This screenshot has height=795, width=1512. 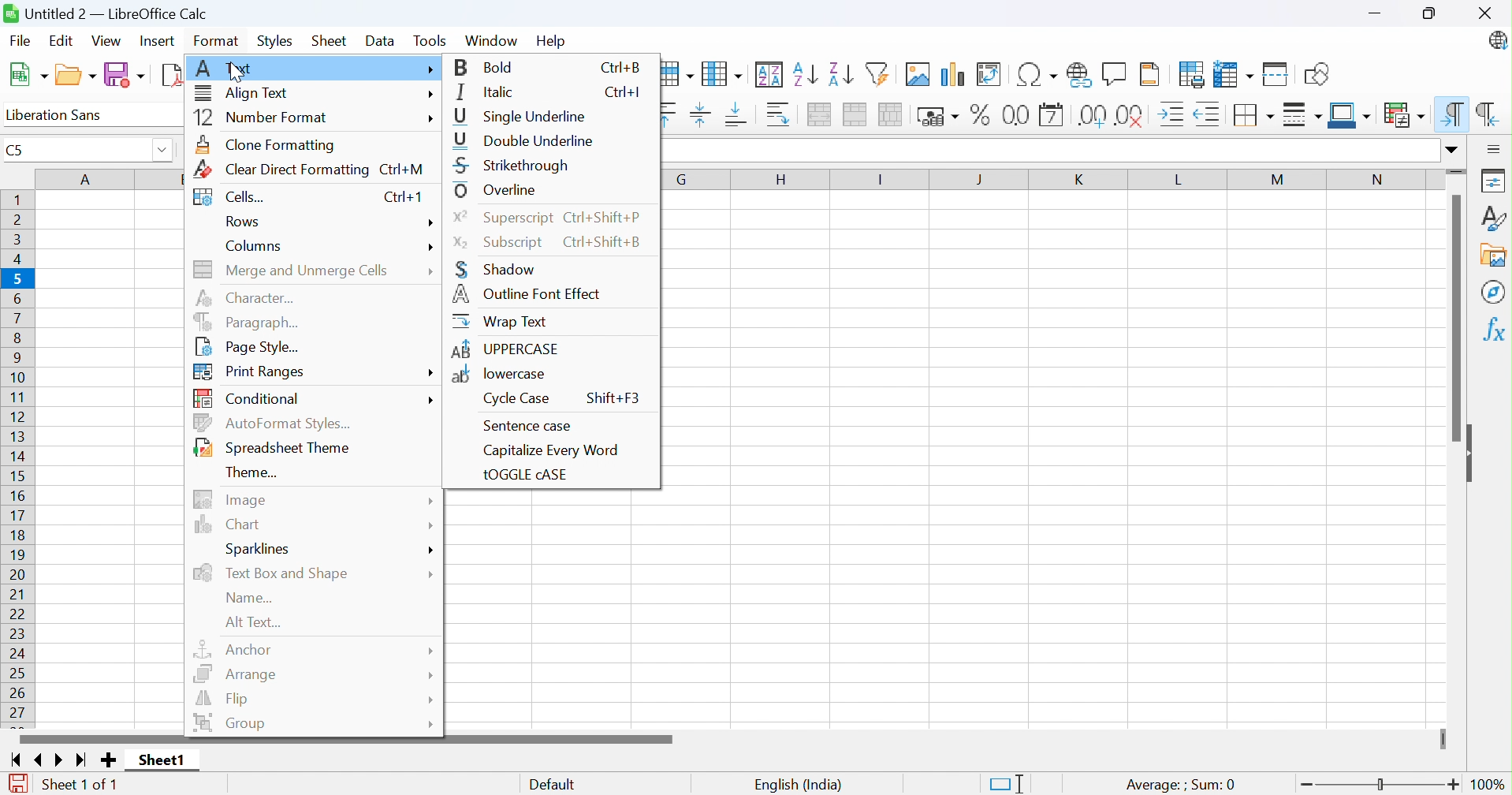 What do you see at coordinates (1493, 293) in the screenshot?
I see `Navigator` at bounding box center [1493, 293].